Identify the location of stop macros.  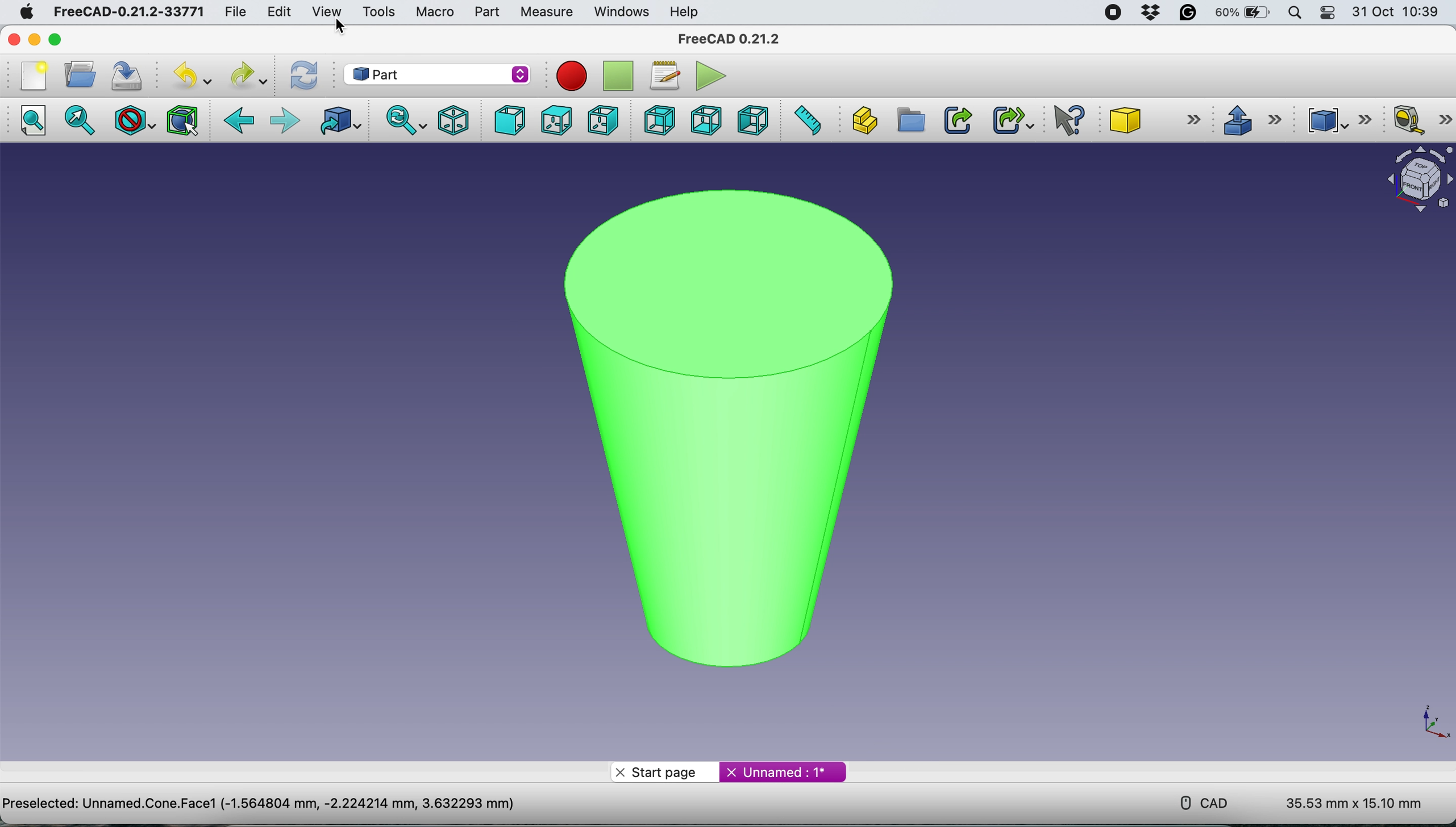
(568, 76).